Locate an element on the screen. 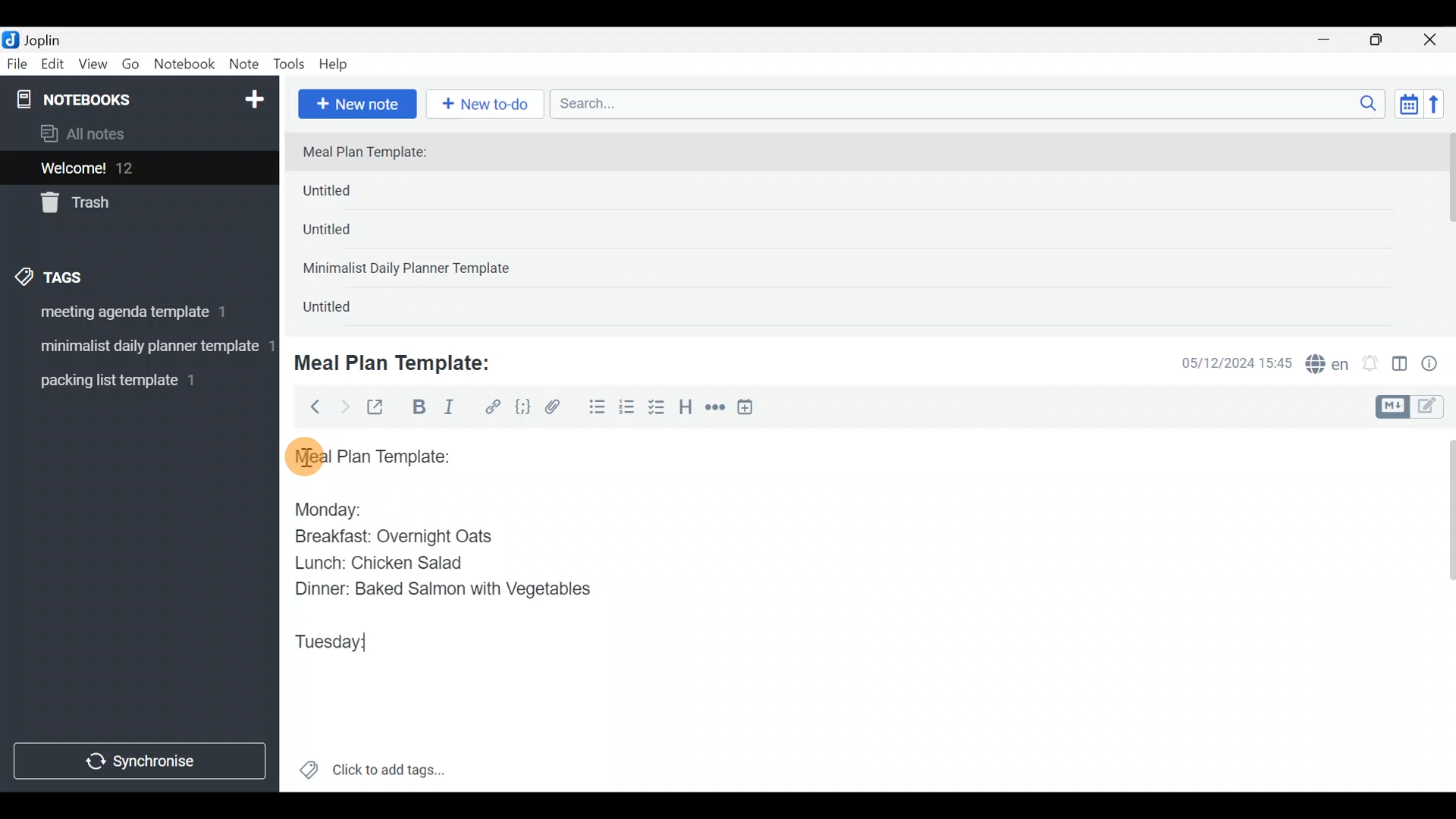  Attach file is located at coordinates (557, 409).